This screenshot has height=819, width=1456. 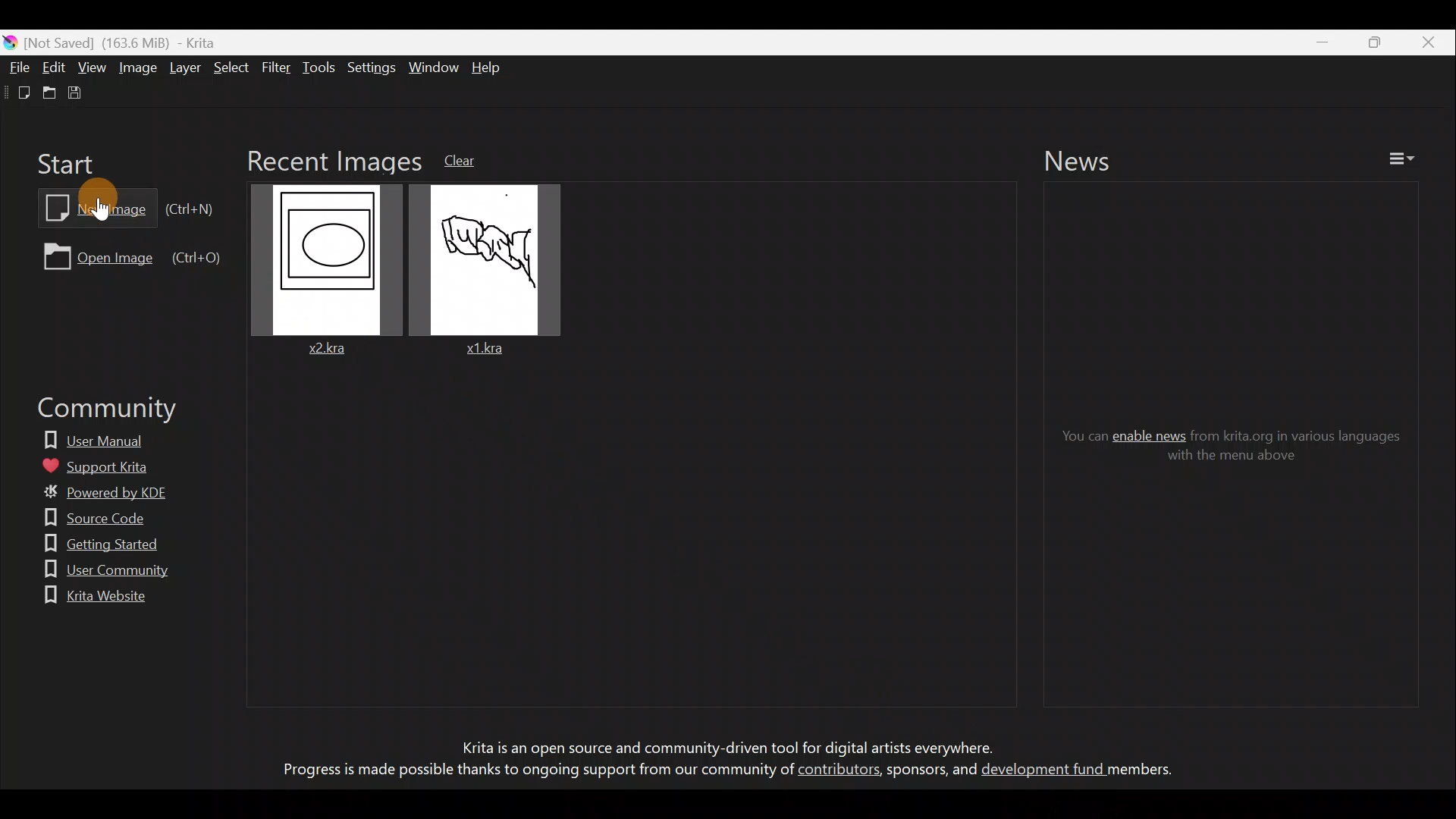 What do you see at coordinates (112, 495) in the screenshot?
I see `Powered by KDE` at bounding box center [112, 495].